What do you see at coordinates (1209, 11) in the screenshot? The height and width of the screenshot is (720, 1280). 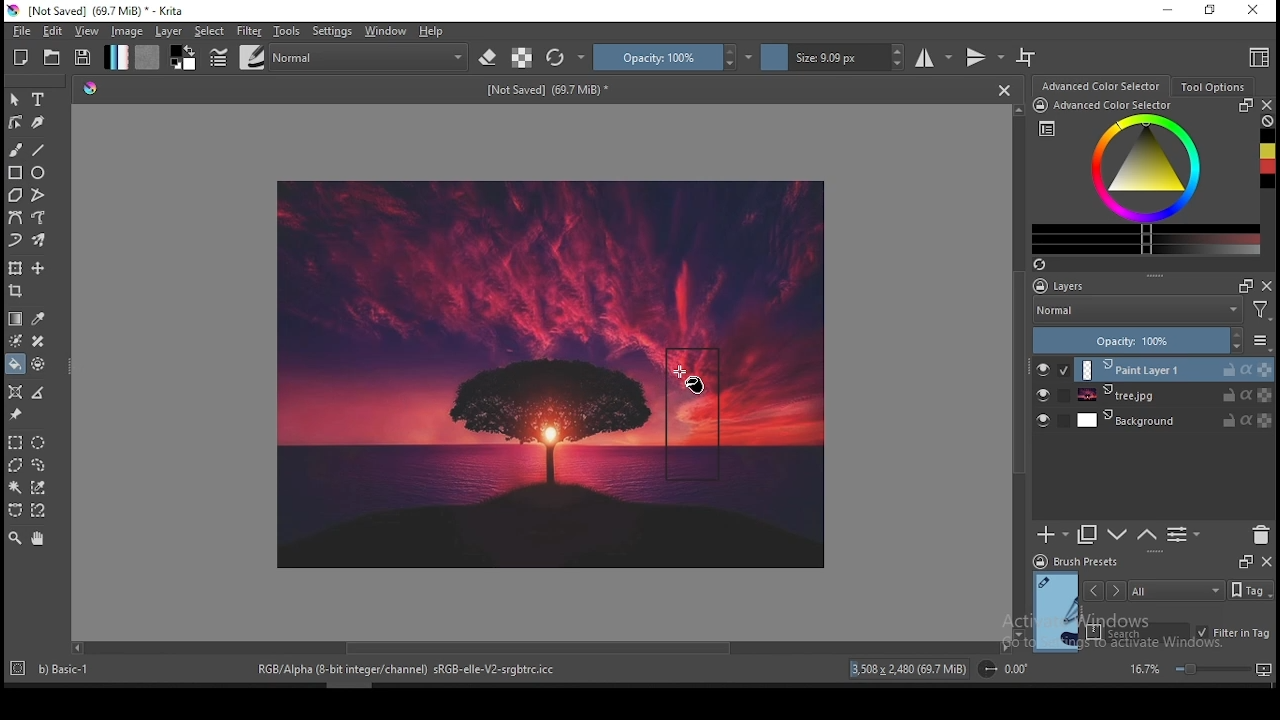 I see `restore` at bounding box center [1209, 11].